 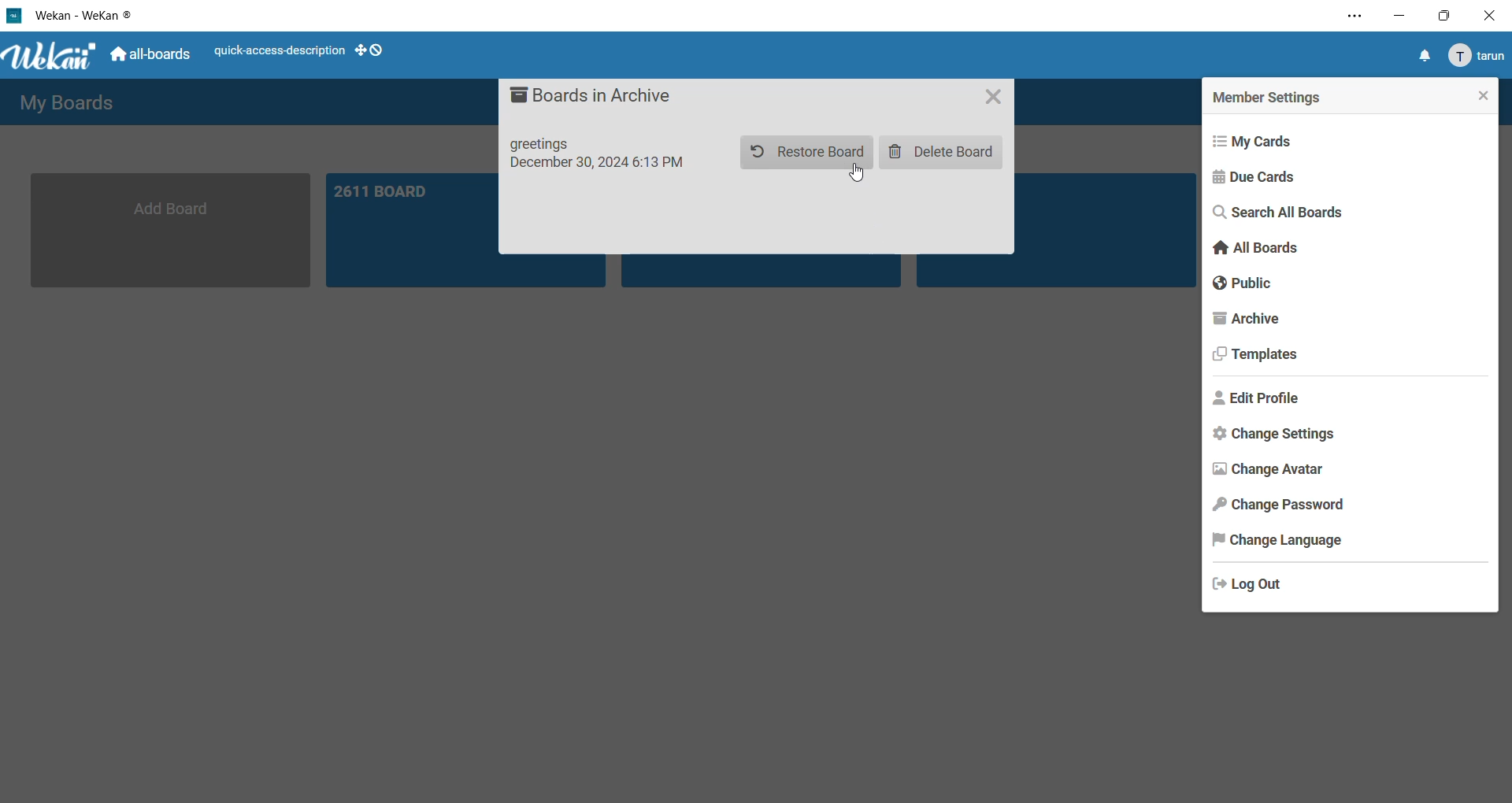 What do you see at coordinates (1277, 542) in the screenshot?
I see `change language` at bounding box center [1277, 542].